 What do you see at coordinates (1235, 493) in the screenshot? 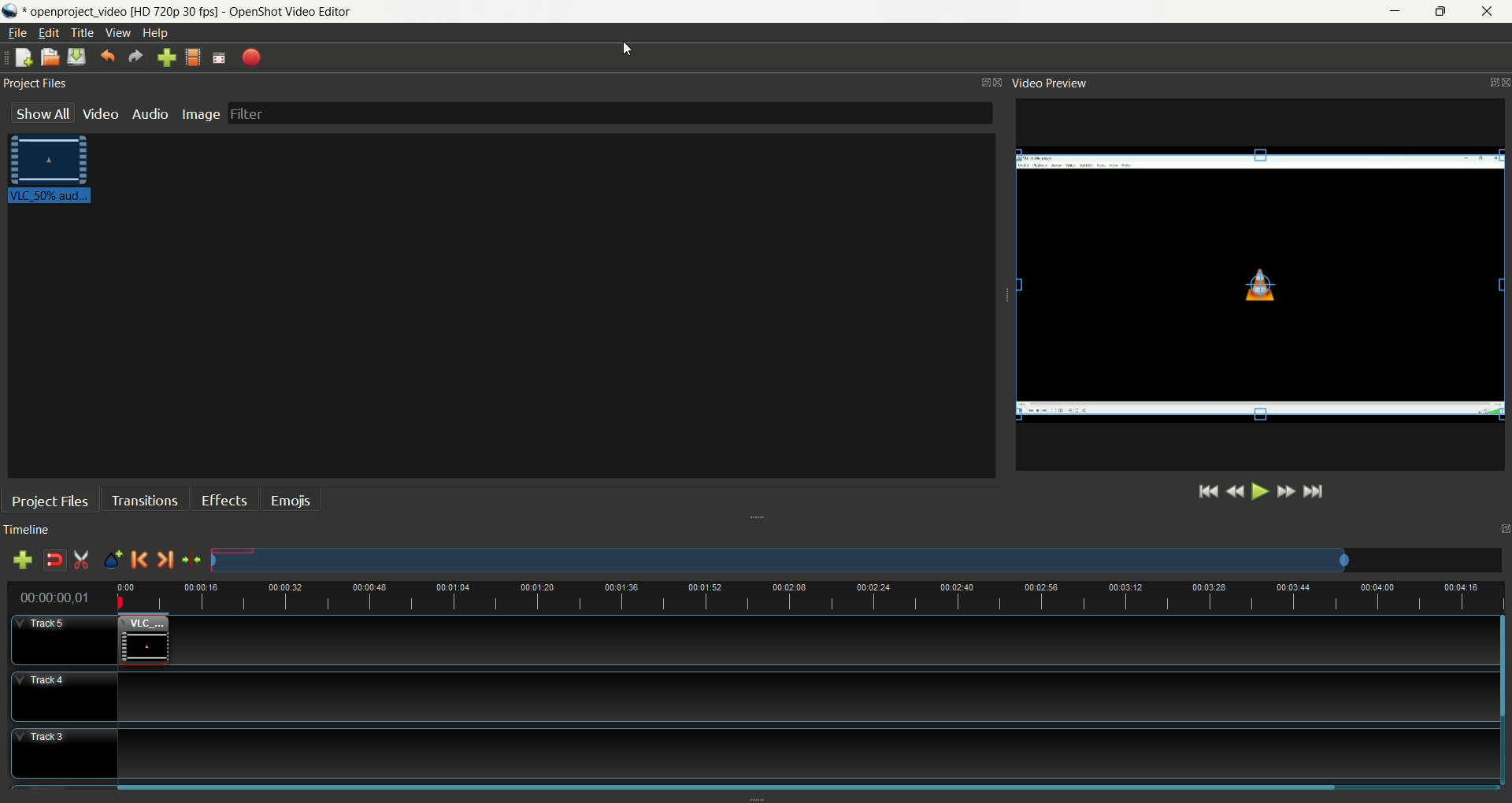
I see `rewind` at bounding box center [1235, 493].